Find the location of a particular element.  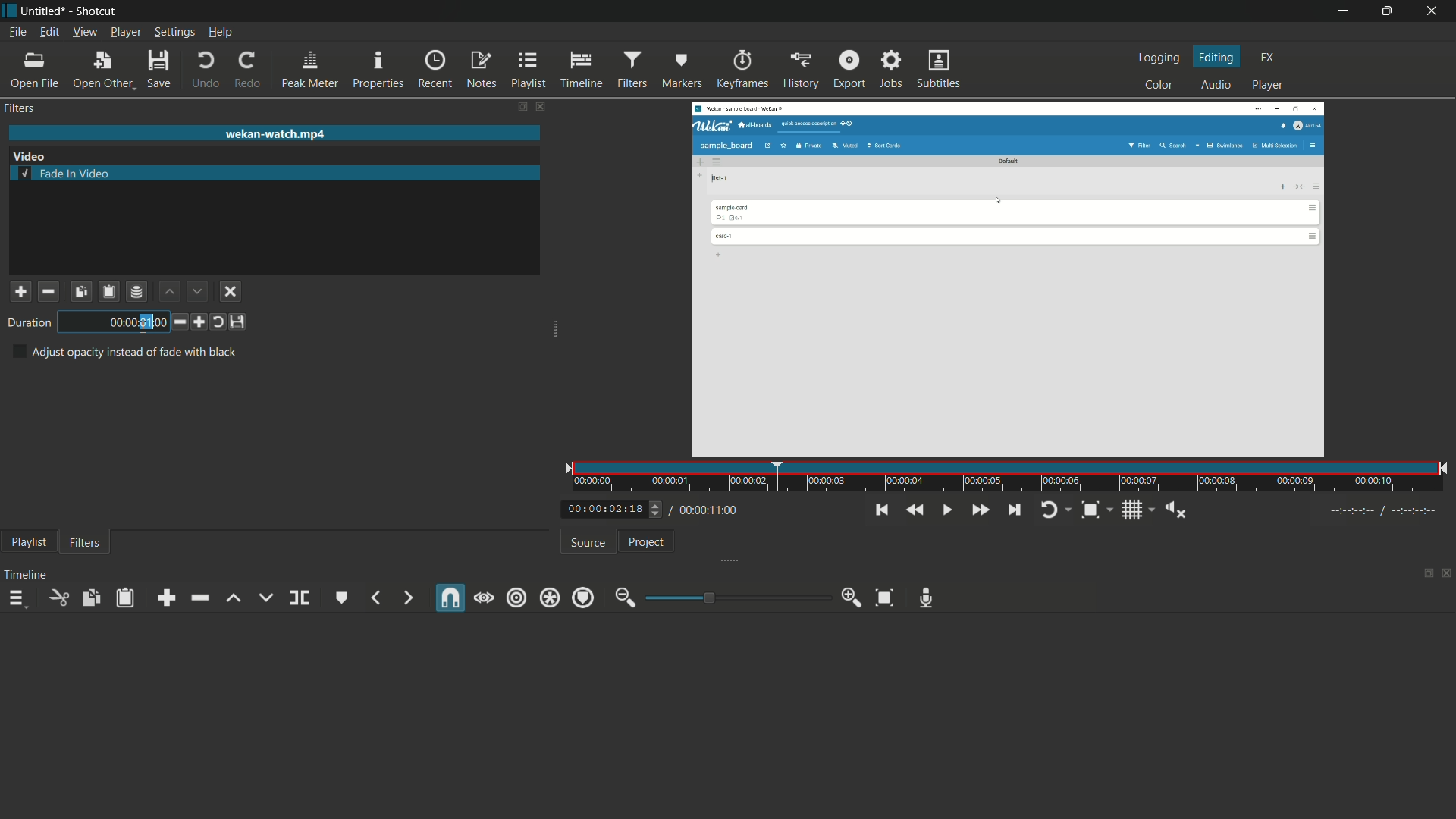

toggle grid is located at coordinates (1134, 511).